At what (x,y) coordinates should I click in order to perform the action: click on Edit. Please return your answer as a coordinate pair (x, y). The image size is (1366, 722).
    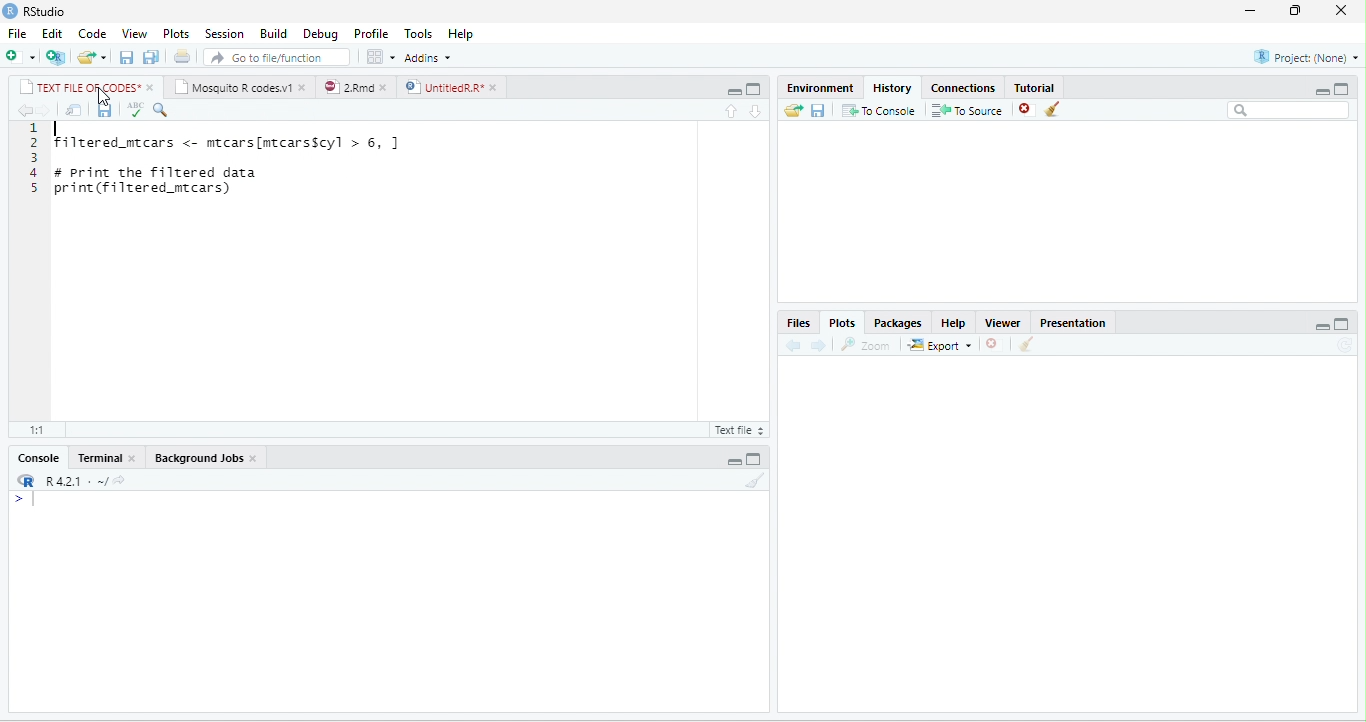
    Looking at the image, I should click on (52, 33).